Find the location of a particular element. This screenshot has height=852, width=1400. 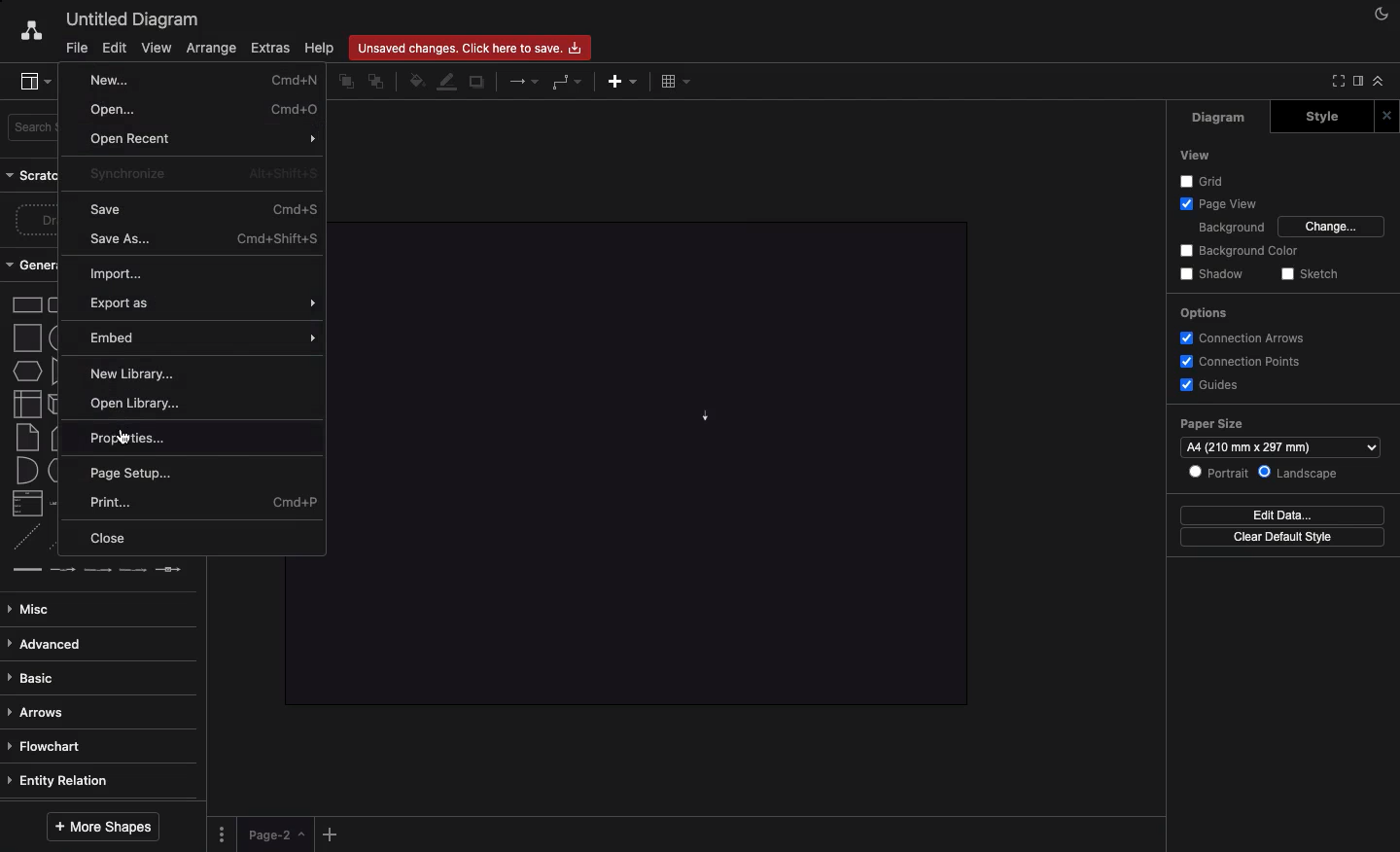

Guides is located at coordinates (1207, 383).